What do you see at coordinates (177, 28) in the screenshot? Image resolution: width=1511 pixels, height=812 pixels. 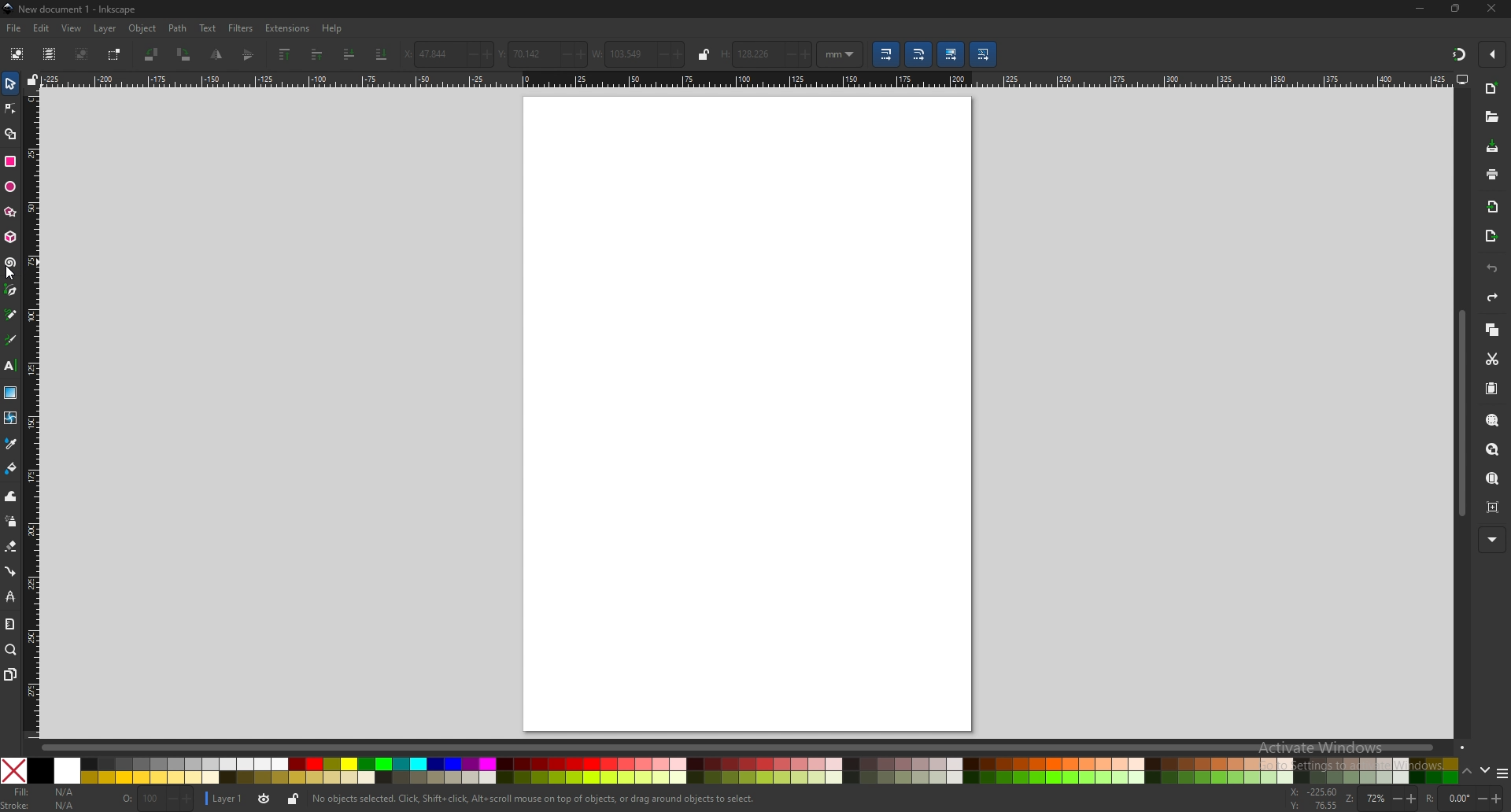 I see `path` at bounding box center [177, 28].